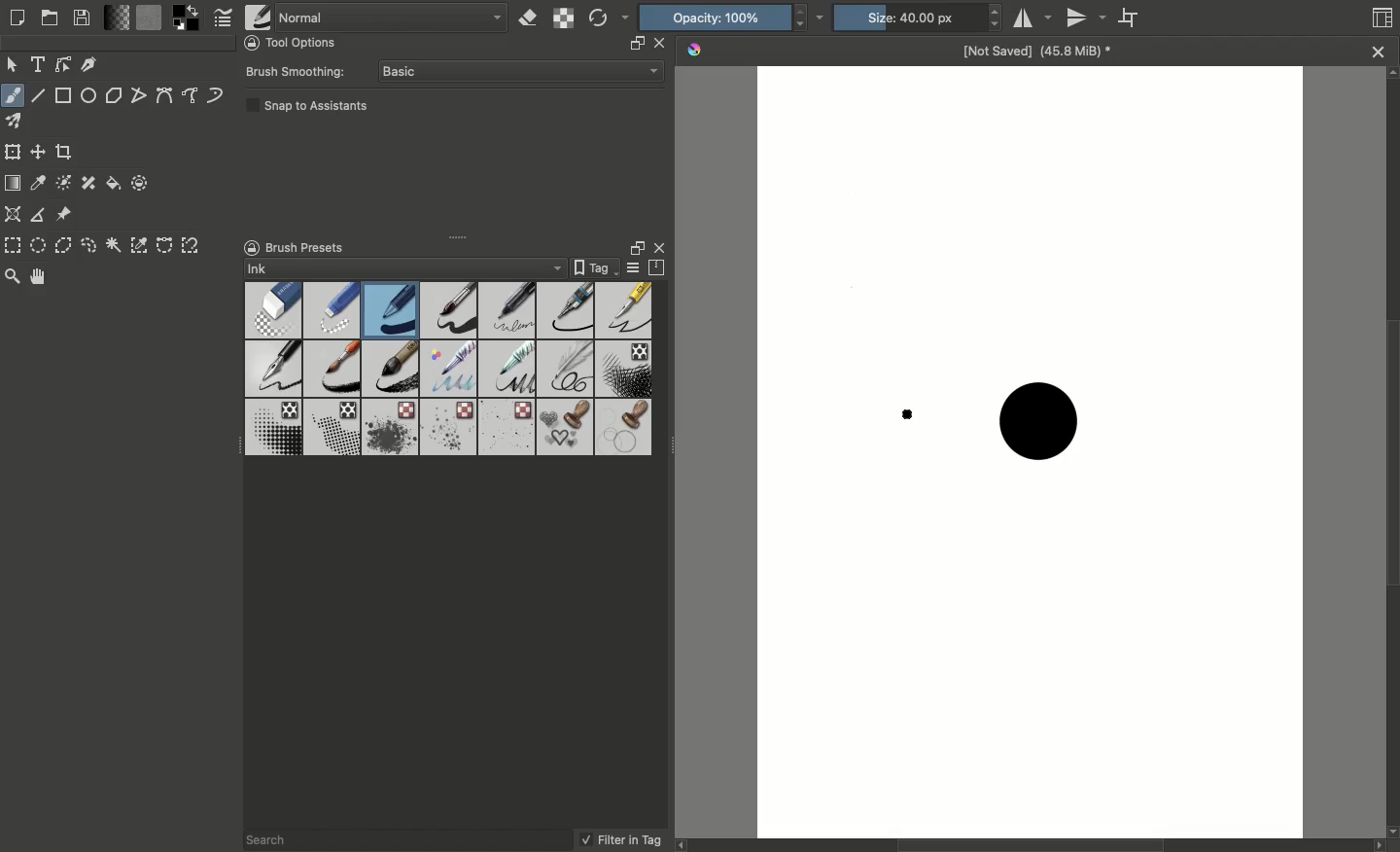 The width and height of the screenshot is (1400, 852). What do you see at coordinates (89, 246) in the screenshot?
I see `Freeform selection tool` at bounding box center [89, 246].